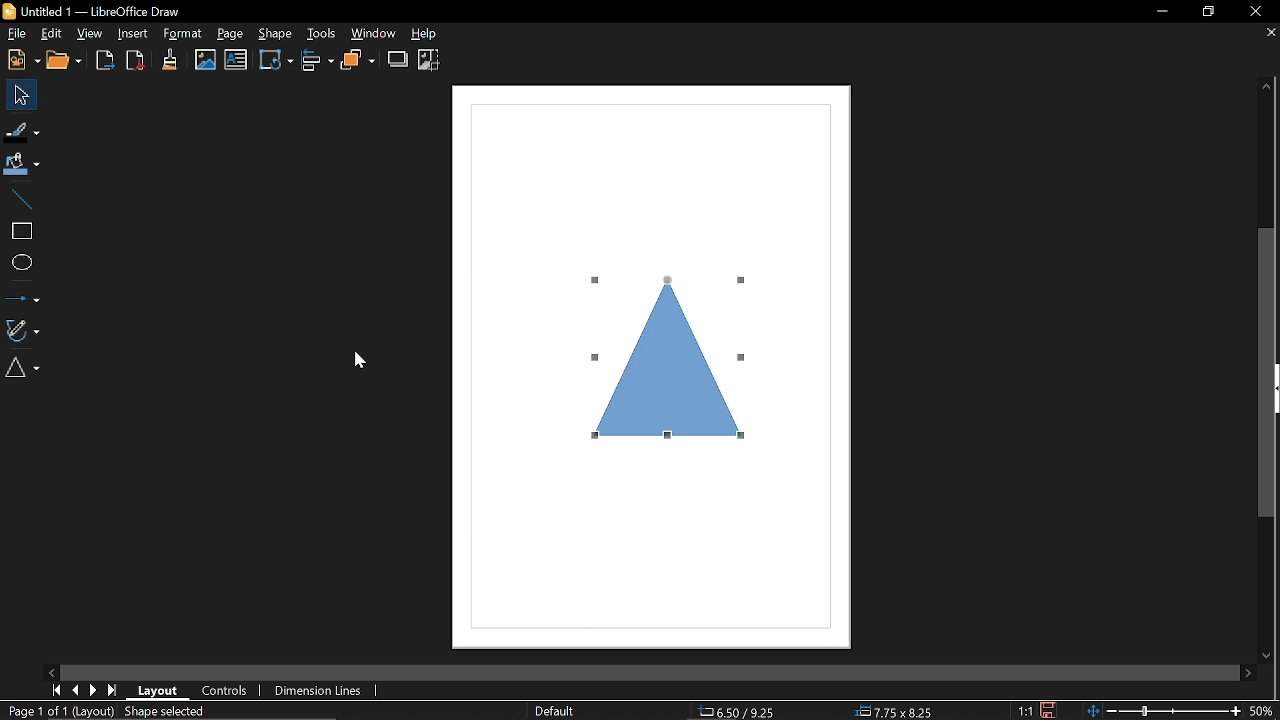 Image resolution: width=1280 pixels, height=720 pixels. What do you see at coordinates (58, 711) in the screenshot?
I see `Current page` at bounding box center [58, 711].